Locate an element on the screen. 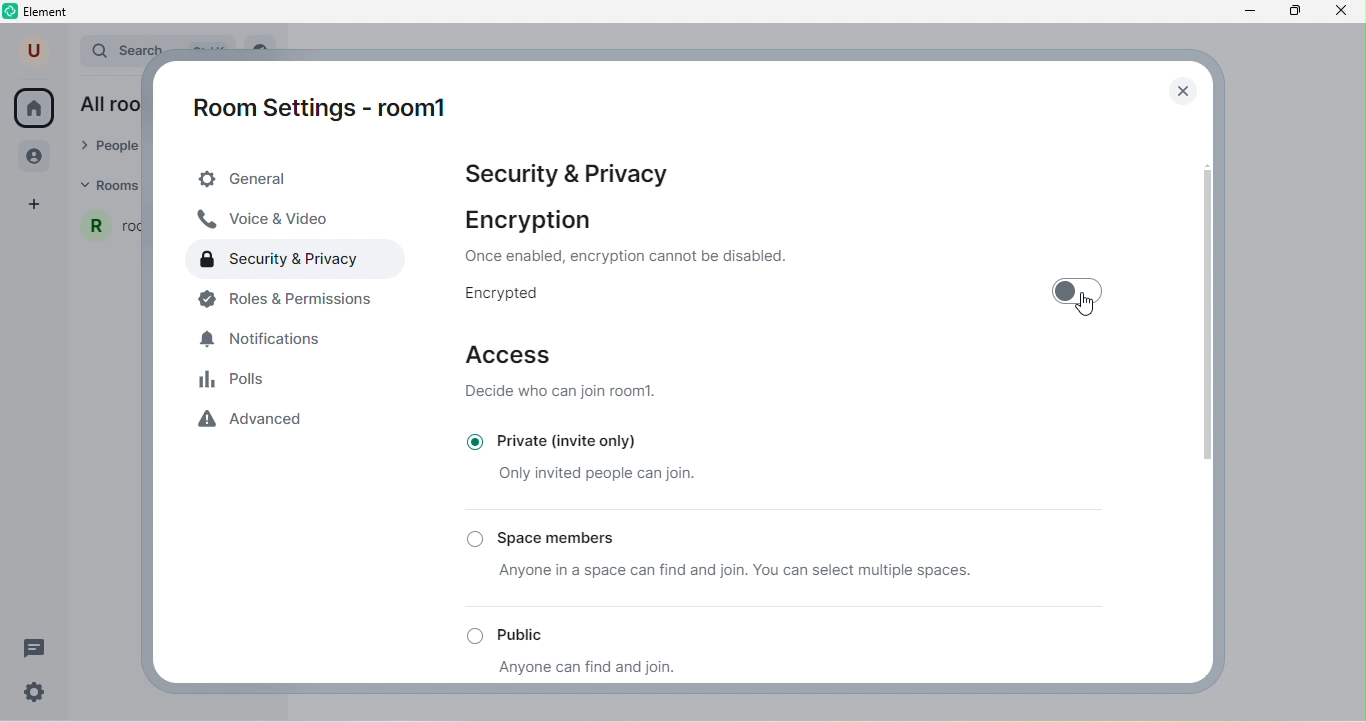 The height and width of the screenshot is (722, 1366). anyone in a space can join is located at coordinates (766, 582).